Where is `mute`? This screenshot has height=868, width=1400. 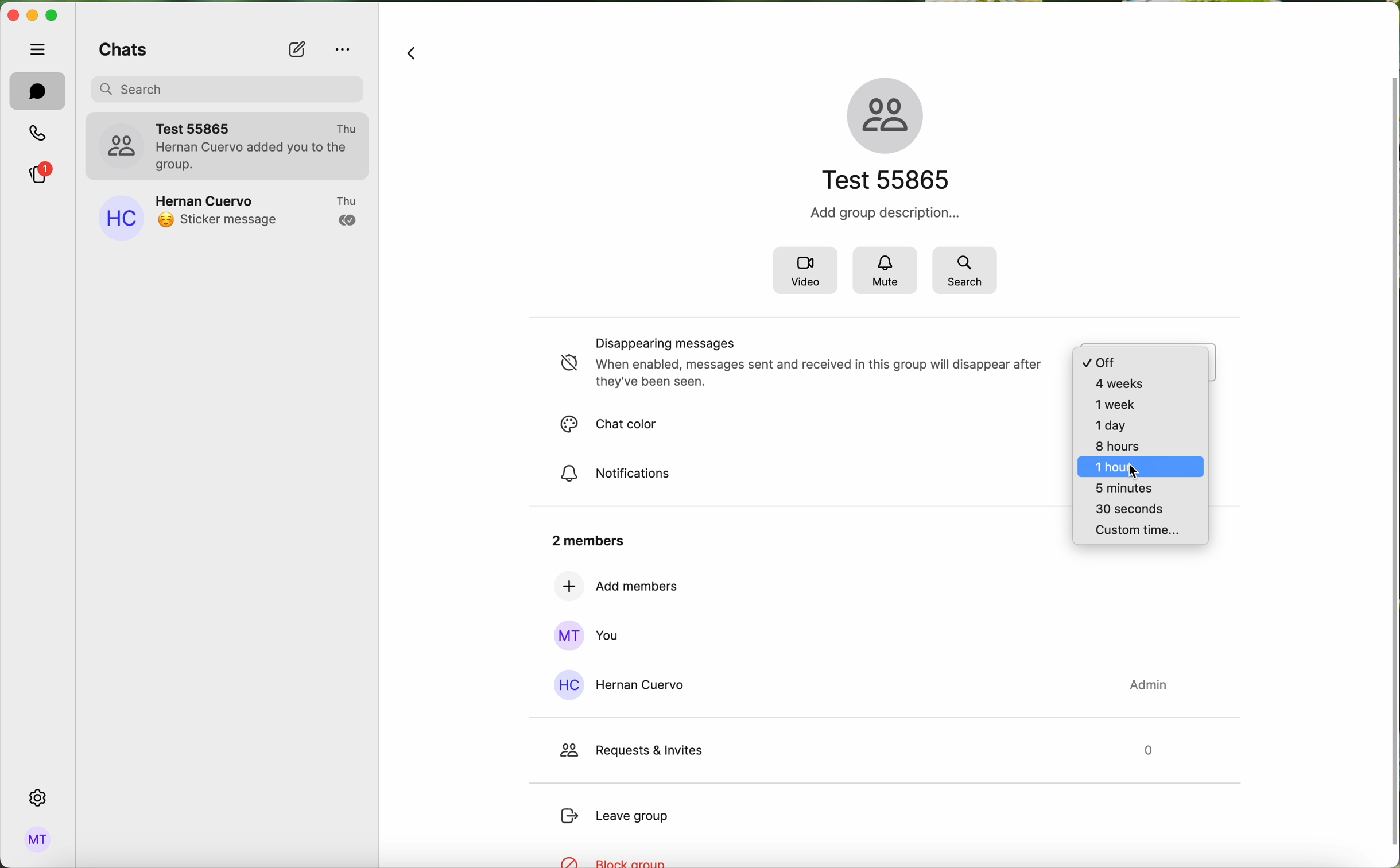
mute is located at coordinates (883, 270).